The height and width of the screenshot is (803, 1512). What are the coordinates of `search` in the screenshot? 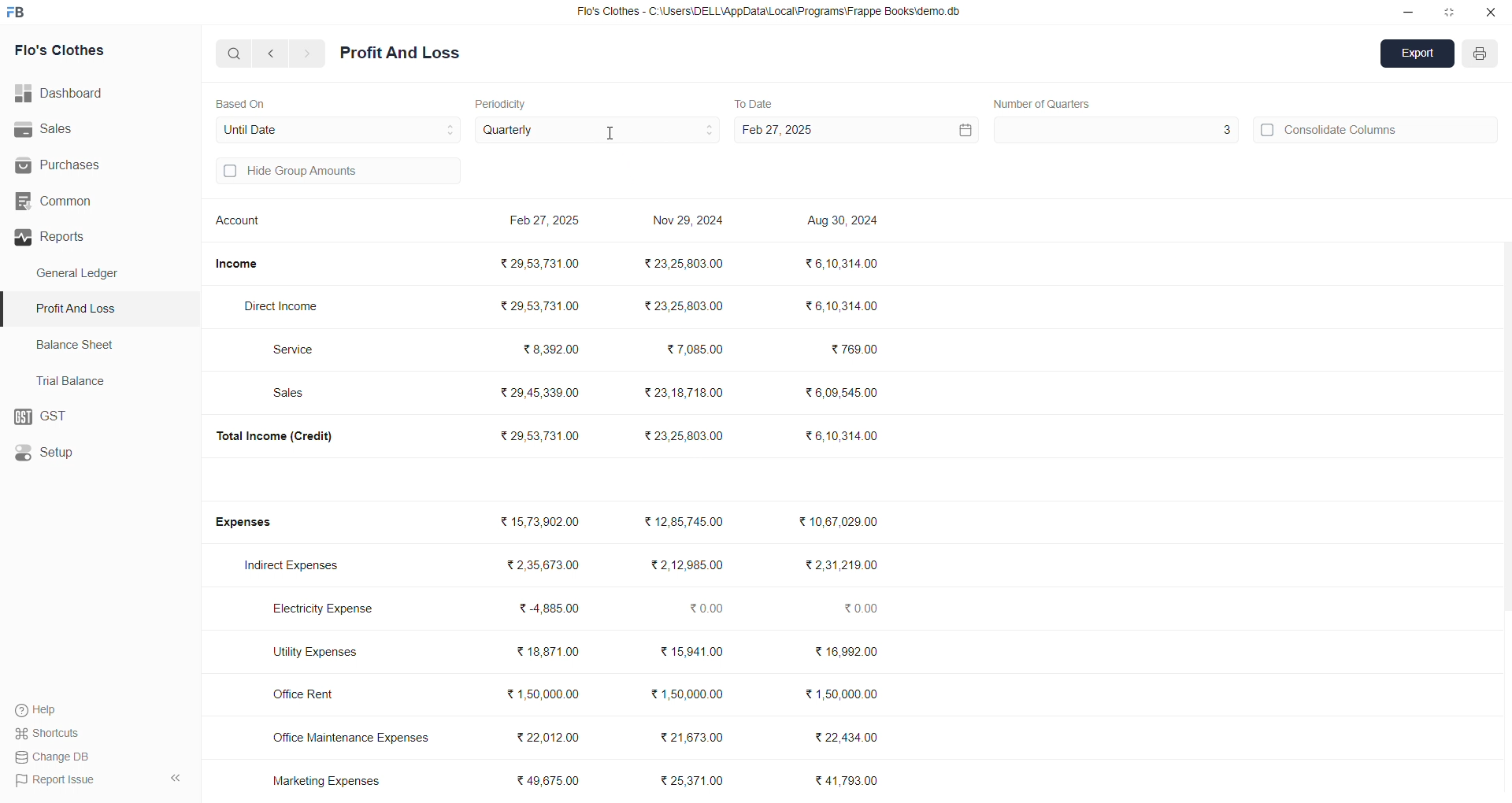 It's located at (235, 53).